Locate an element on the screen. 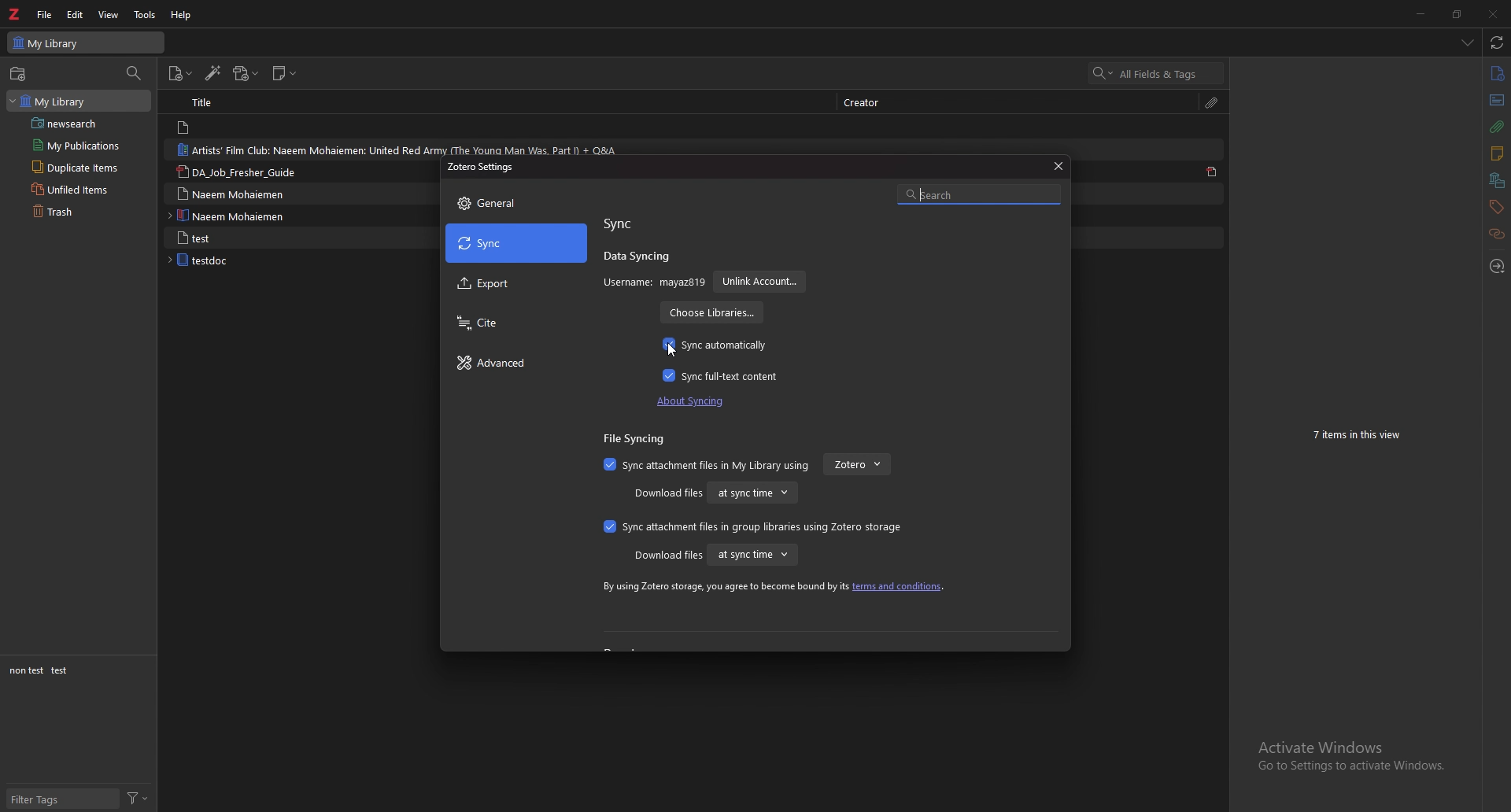 The image size is (1511, 812). add attachment is located at coordinates (246, 74).